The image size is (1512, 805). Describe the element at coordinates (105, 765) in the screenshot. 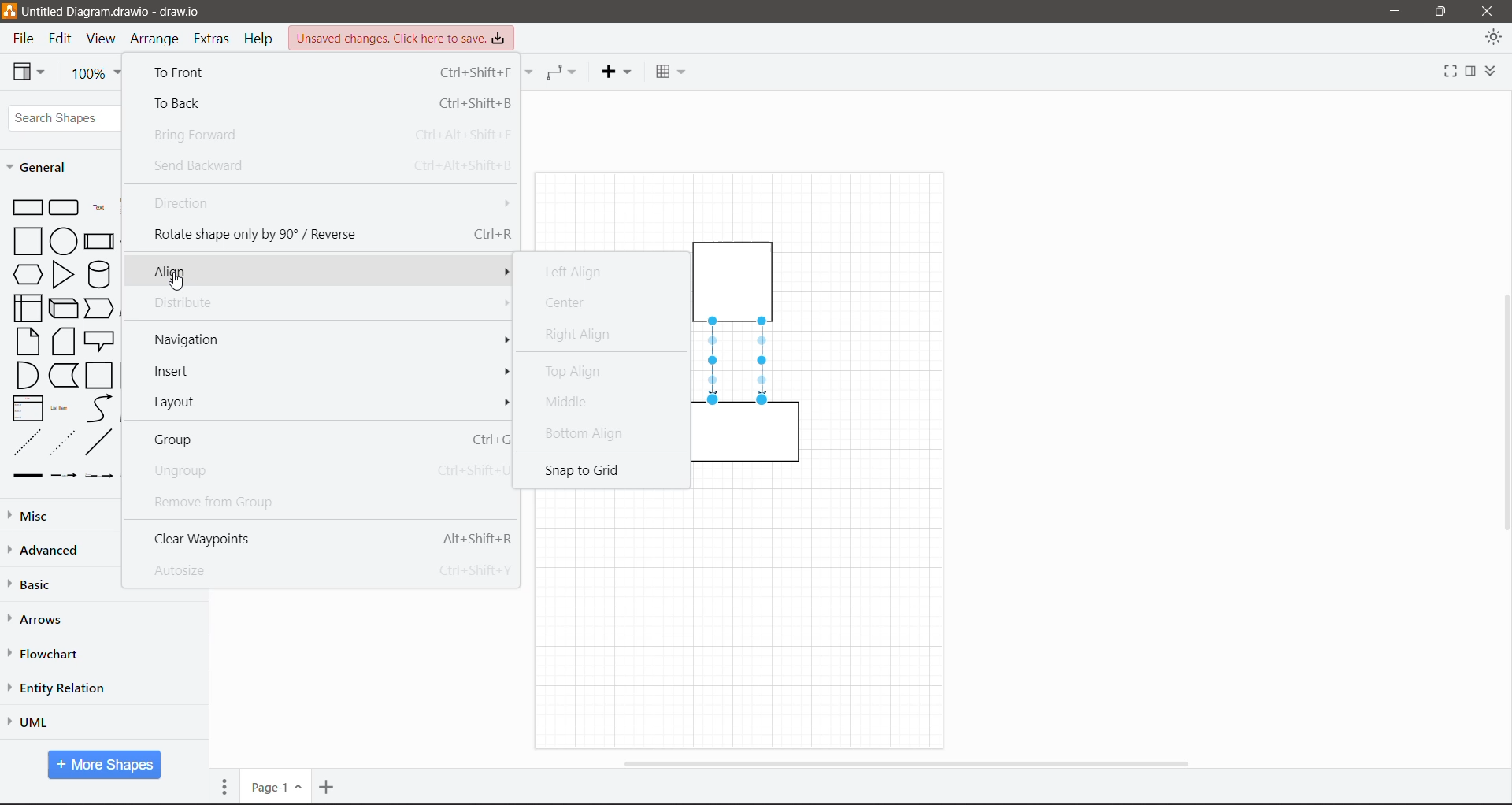

I see `More Shapes` at that location.